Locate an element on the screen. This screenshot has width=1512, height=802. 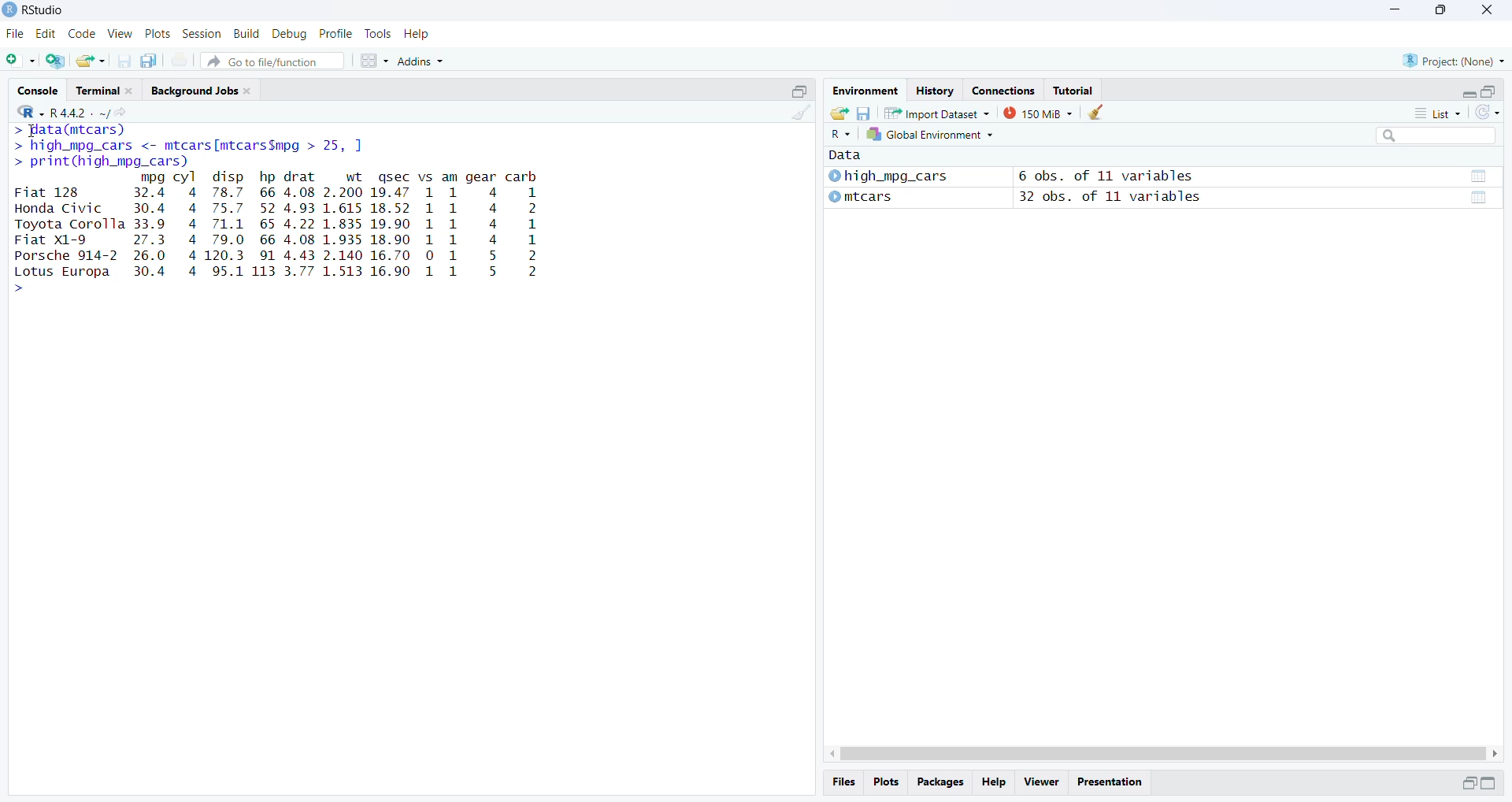
View is located at coordinates (120, 33).